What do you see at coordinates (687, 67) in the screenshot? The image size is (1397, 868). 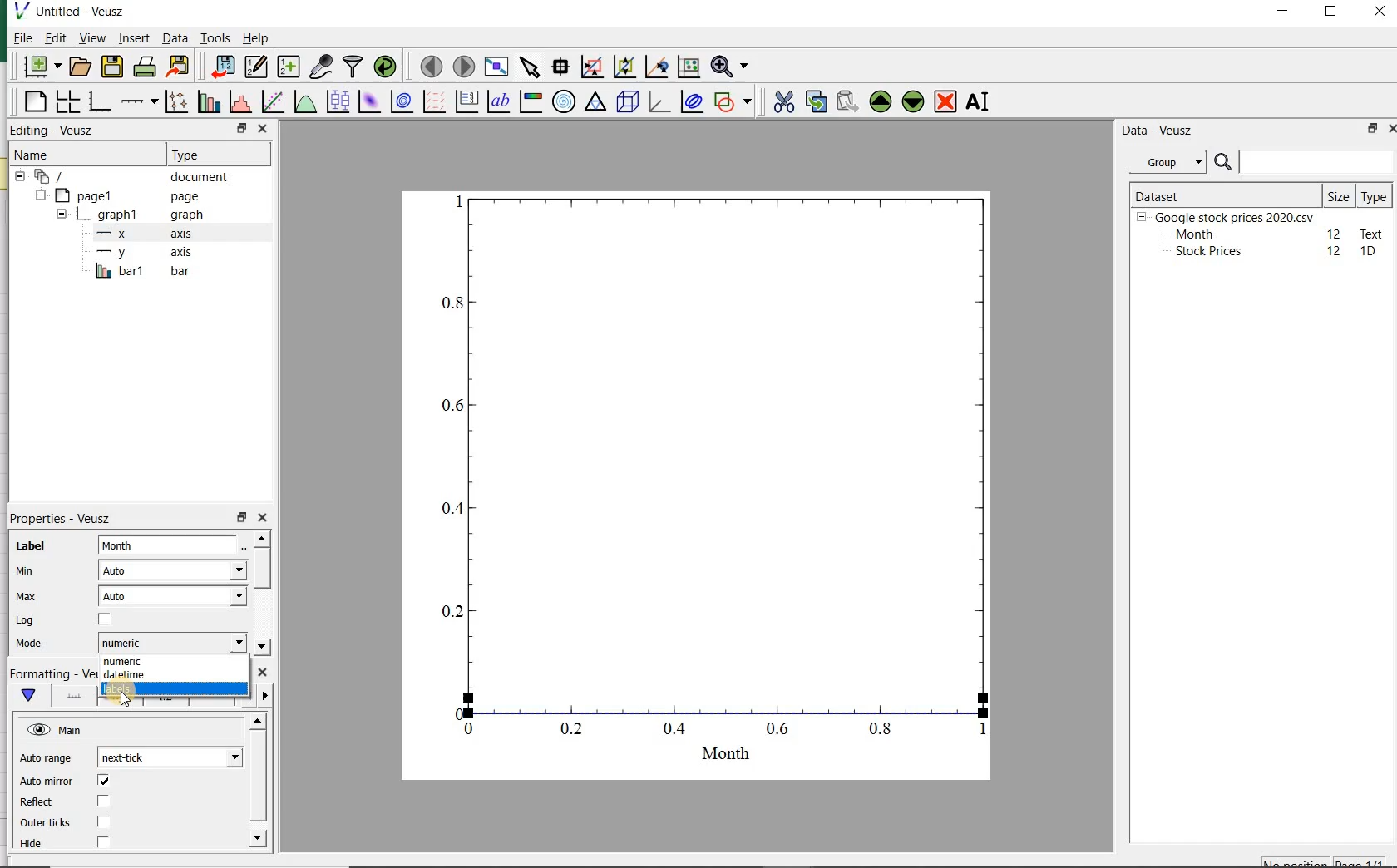 I see `click to reset graph axes` at bounding box center [687, 67].